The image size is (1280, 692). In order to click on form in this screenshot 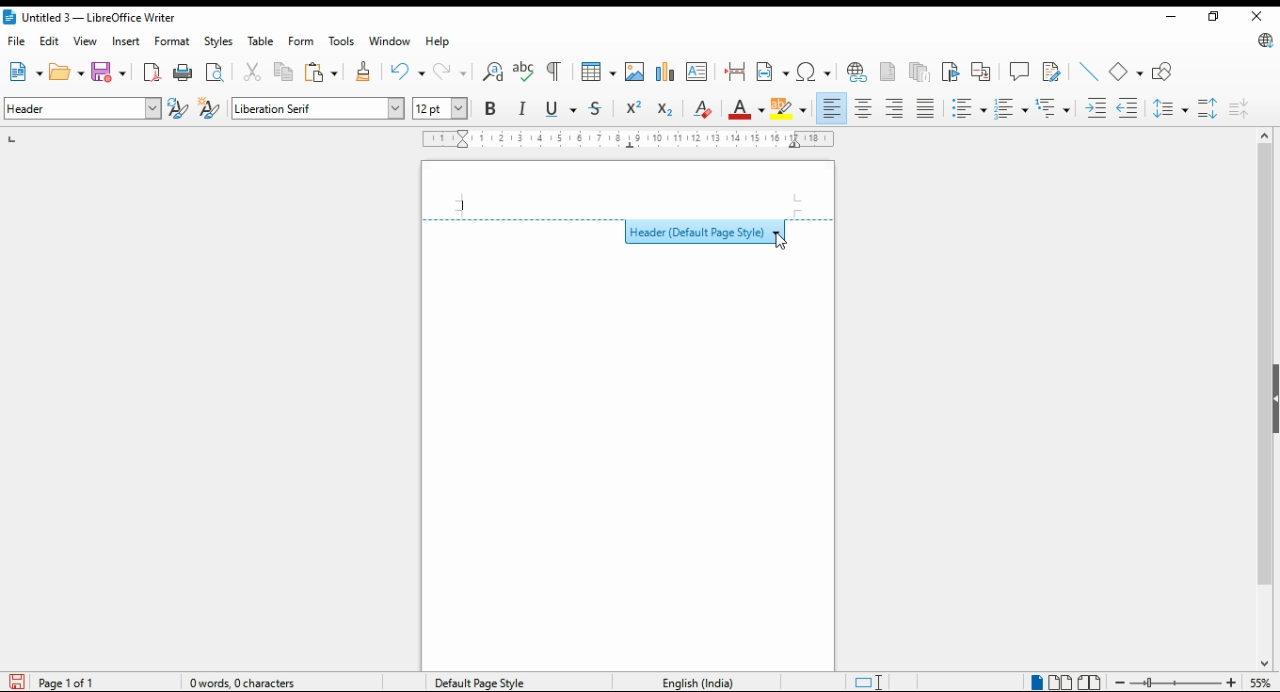, I will do `click(300, 40)`.